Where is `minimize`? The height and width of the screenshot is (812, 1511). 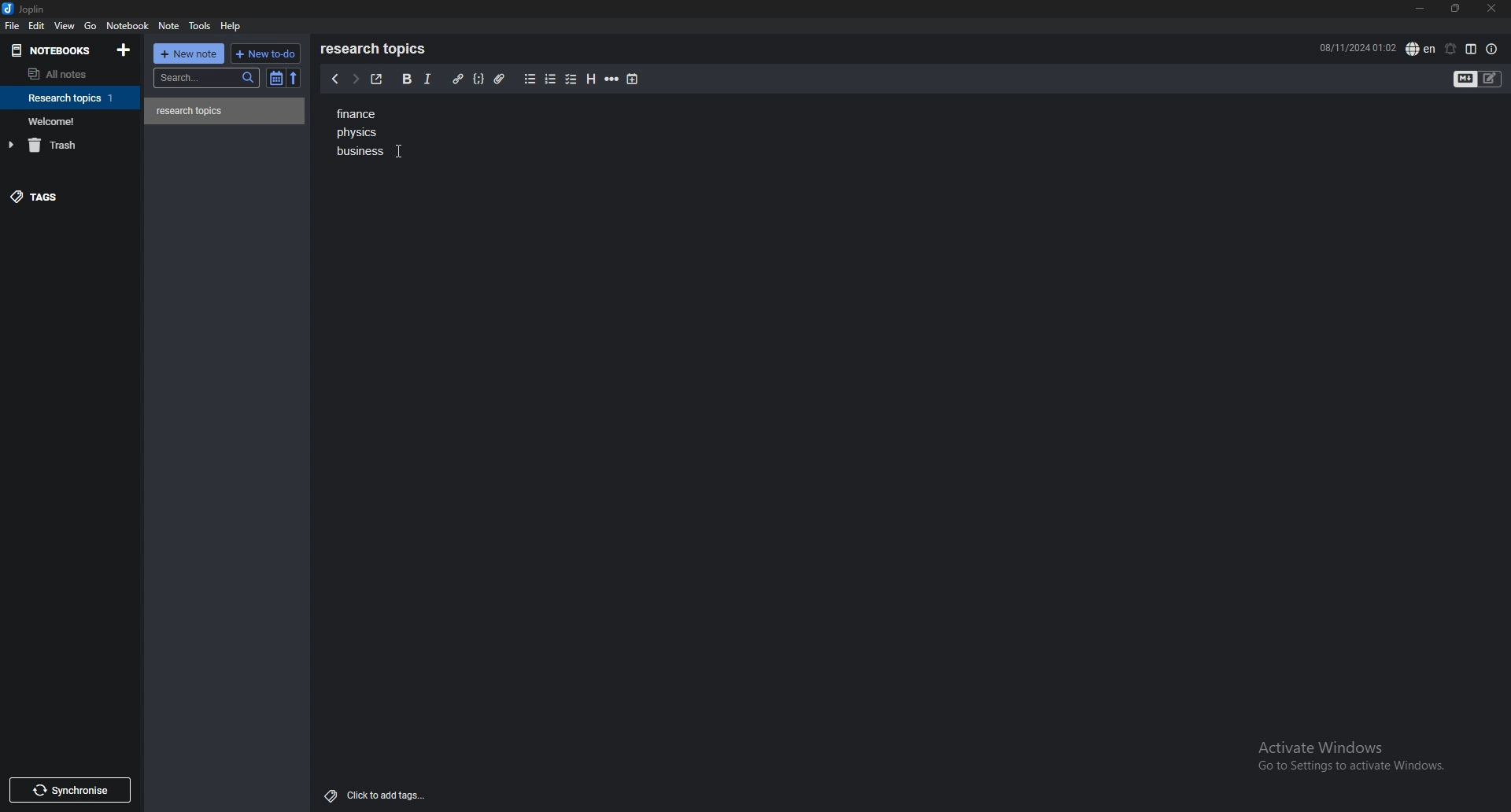
minimize is located at coordinates (1419, 9).